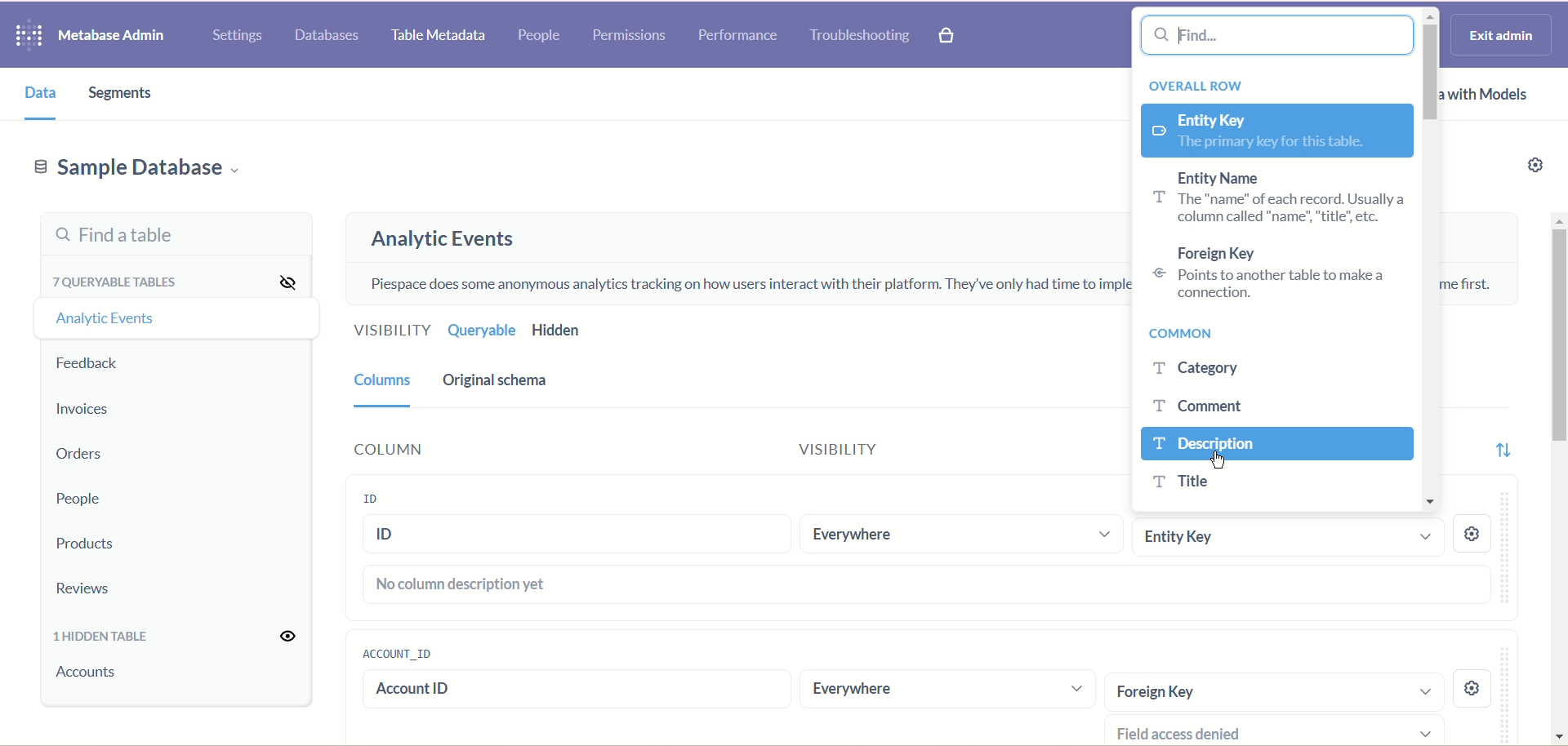 Image resolution: width=1568 pixels, height=746 pixels. Describe the element at coordinates (587, 332) in the screenshot. I see `hidden` at that location.